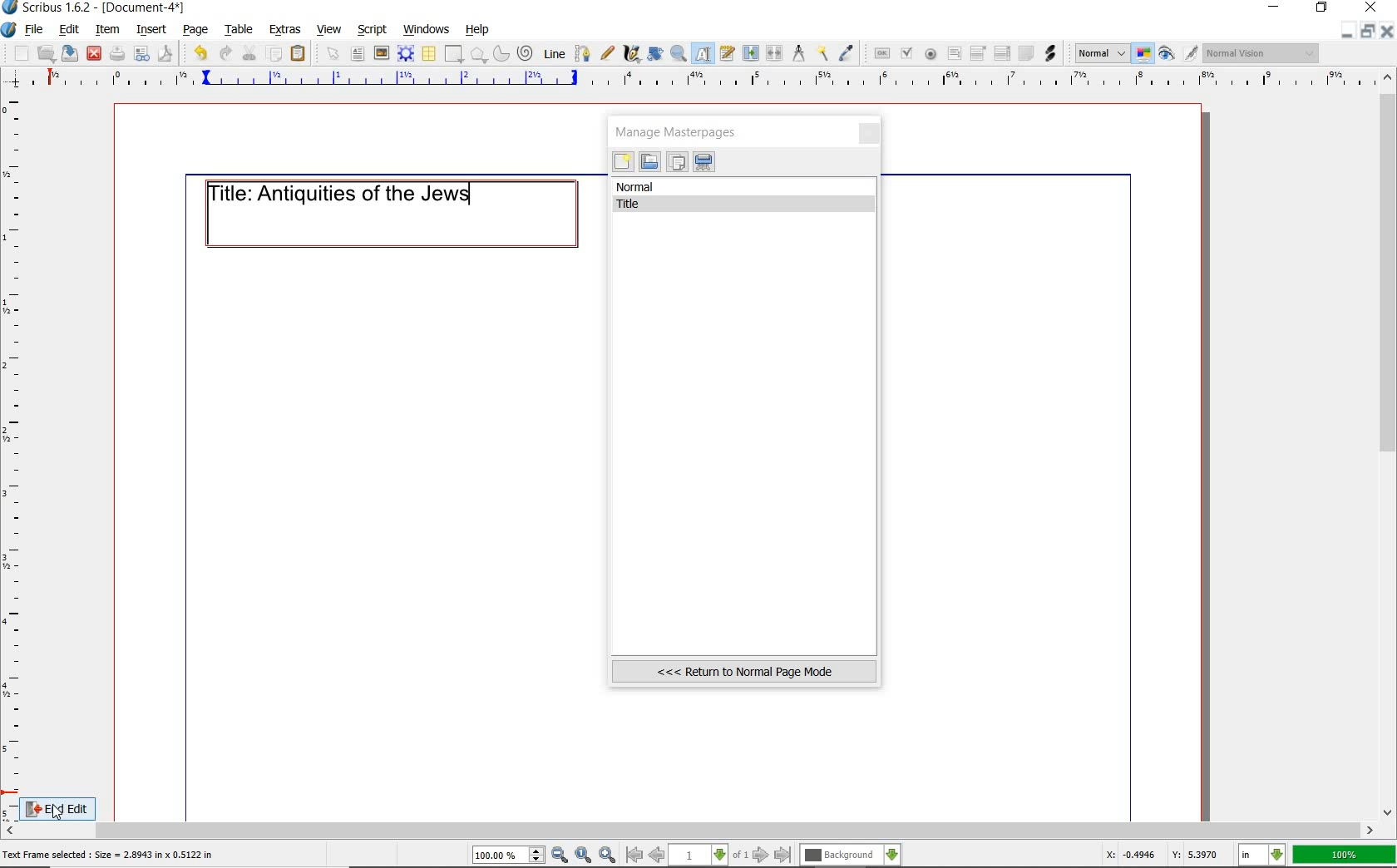 This screenshot has height=868, width=1397. What do you see at coordinates (1389, 443) in the screenshot?
I see `scrollbar` at bounding box center [1389, 443].